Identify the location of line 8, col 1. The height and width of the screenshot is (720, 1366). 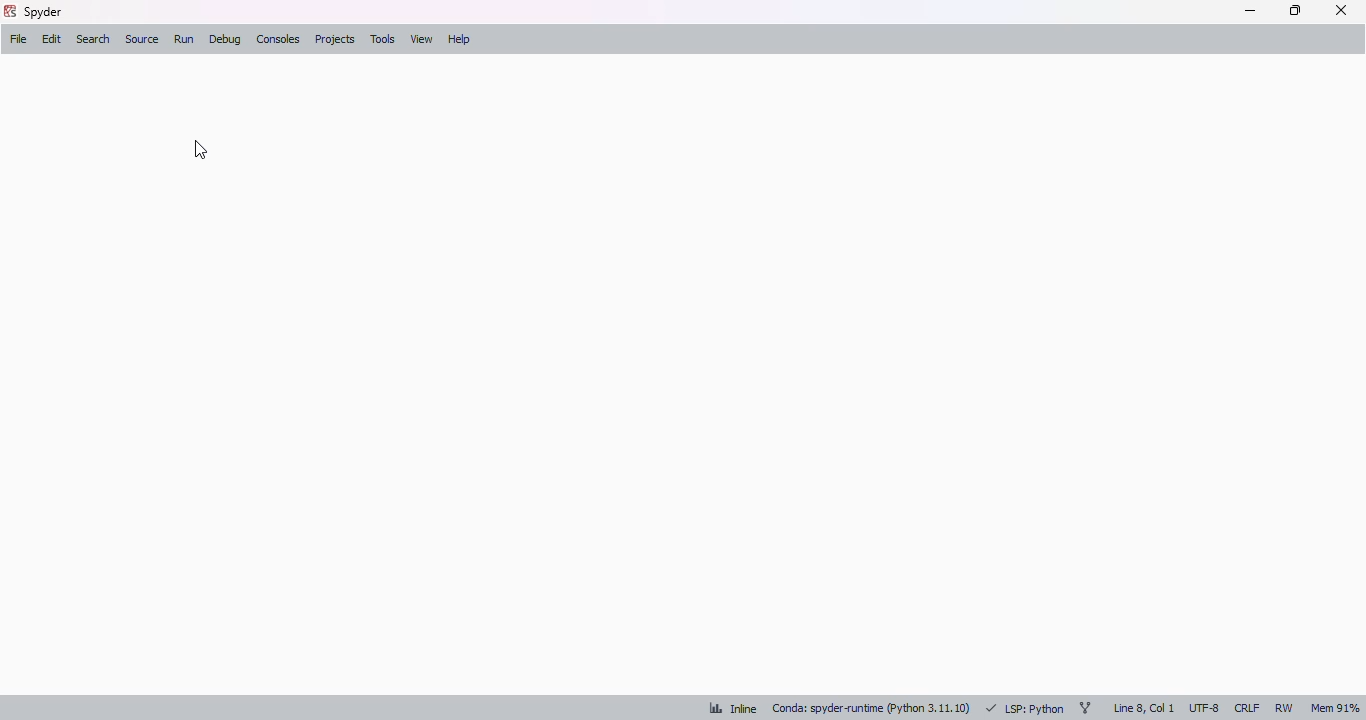
(1144, 708).